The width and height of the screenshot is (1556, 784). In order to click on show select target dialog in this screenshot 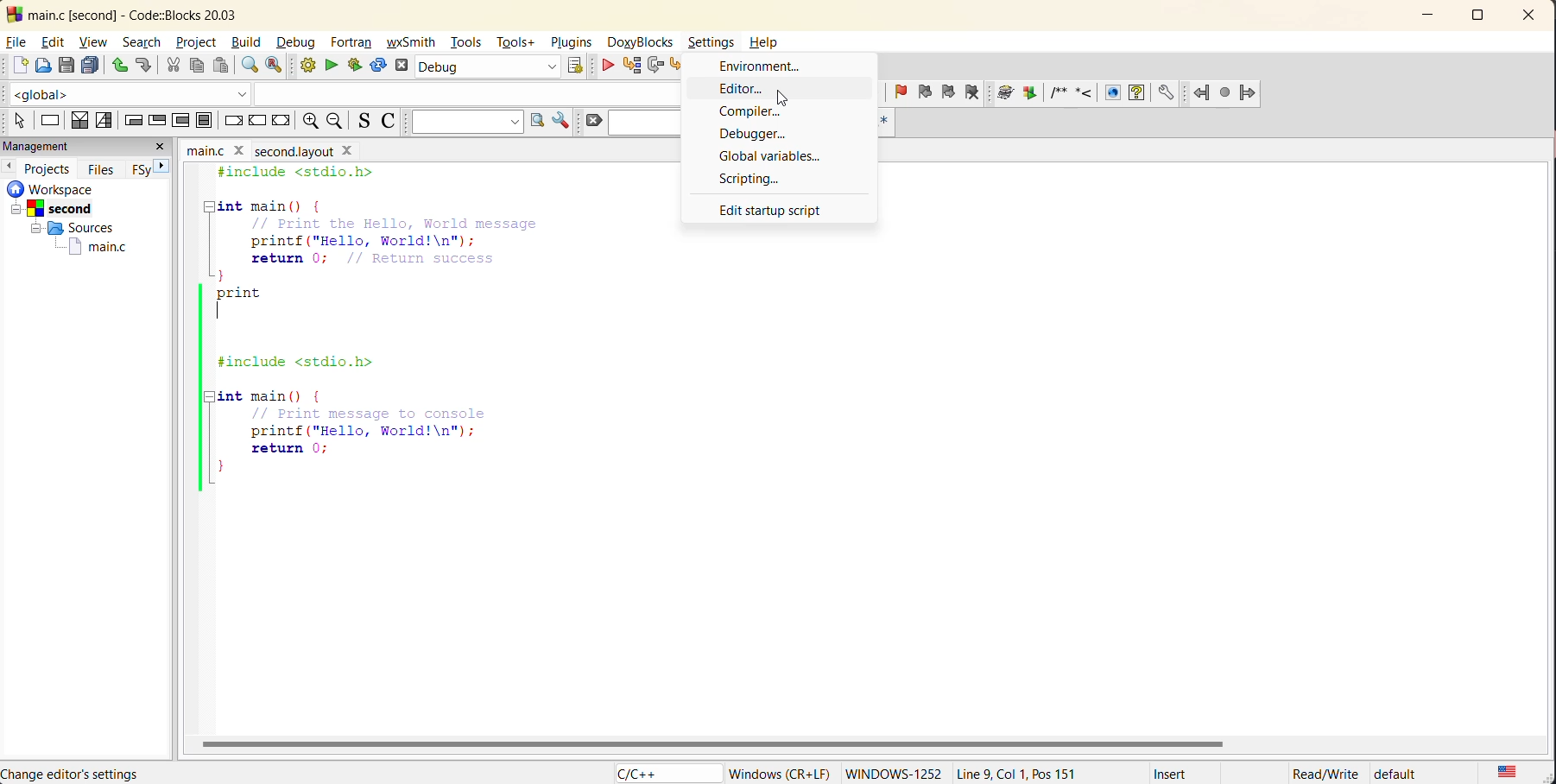, I will do `click(578, 67)`.